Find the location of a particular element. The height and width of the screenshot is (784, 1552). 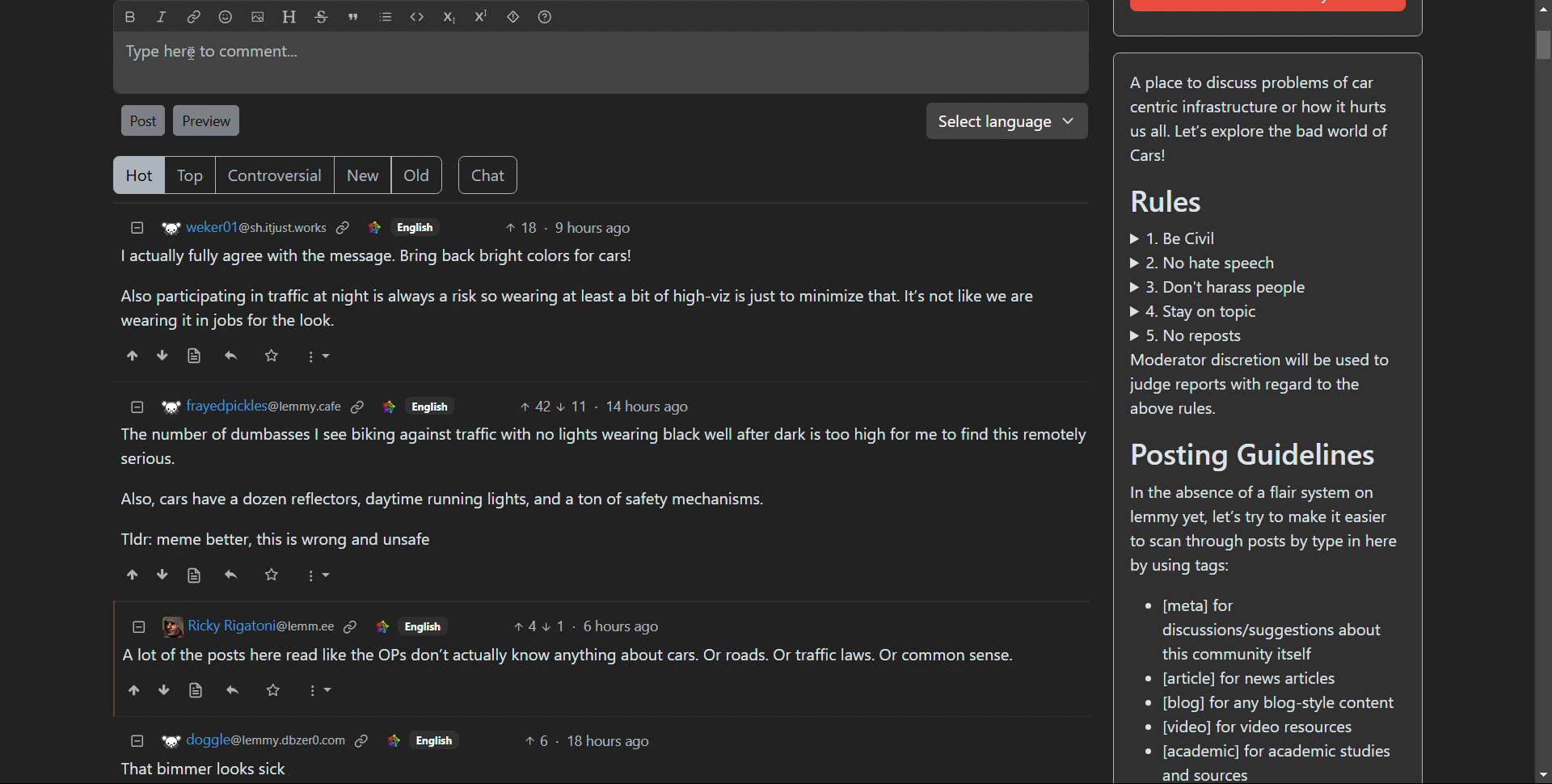

A place to discuss problems of car
centric infrastructure or how it hurts
us all. Let's explore the bad world of
Cars!

Rules

» 1. Be Civil

» 2. No hate speech

» 3. Don't harass people

> 4. Stay on topic

» 5. No reposts

Moderator discretion will be used to
judge reports with regard to the
above rules.

Posting Guidelines
In the absence of a flair system on
lemmy yet, let's try to make it easier
to scan through posts by type in here
by using tags:

* [meta] for
discussions/suggestions about
this community itself

eo [article] for news articles

[blog] for any blog-style content

* [video] for video resources

* [academic] for academic studies
and sources is located at coordinates (1267, 424).